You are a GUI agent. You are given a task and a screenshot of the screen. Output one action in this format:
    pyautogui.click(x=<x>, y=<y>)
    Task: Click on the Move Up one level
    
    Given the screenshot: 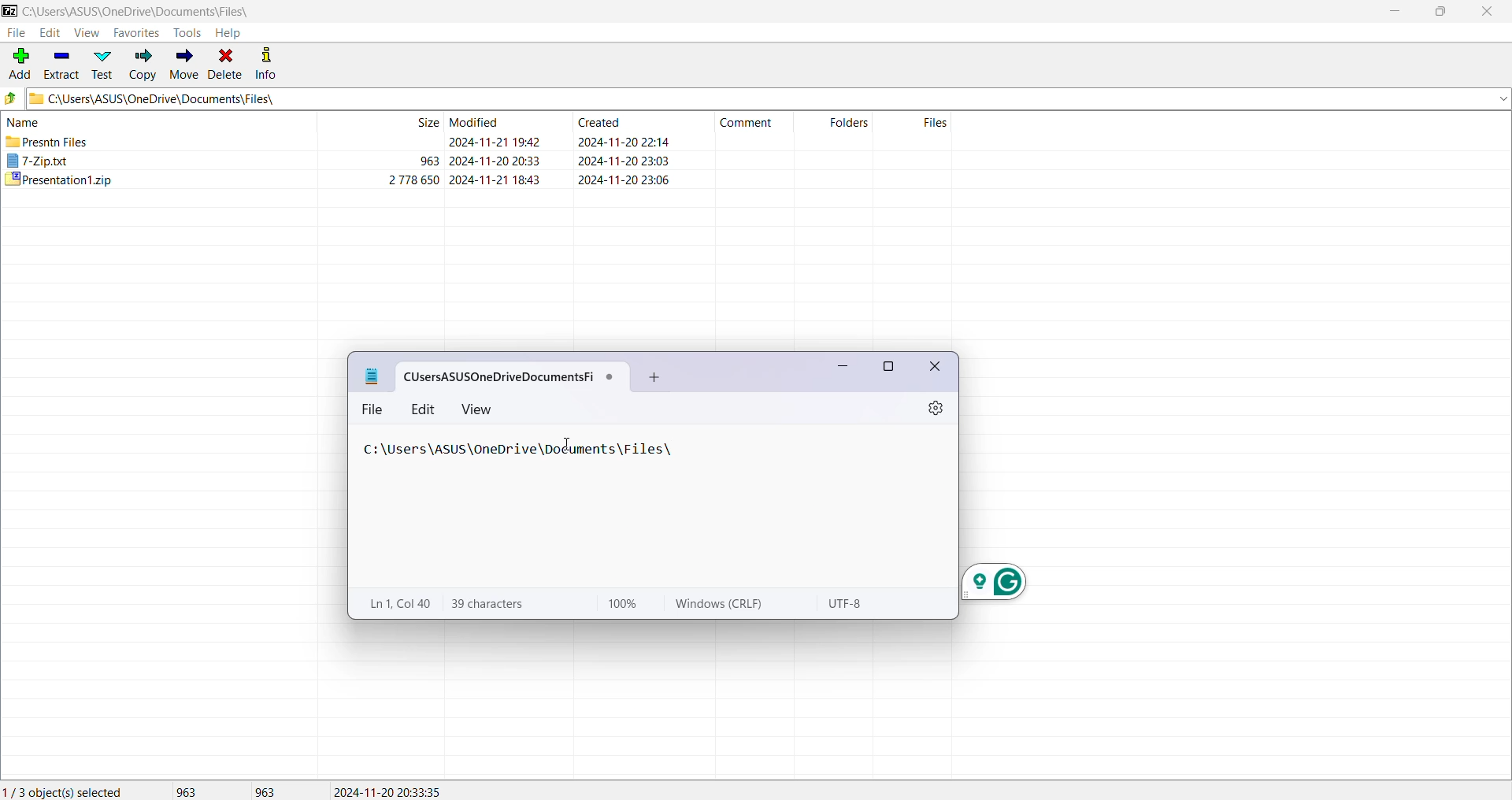 What is the action you would take?
    pyautogui.click(x=11, y=99)
    